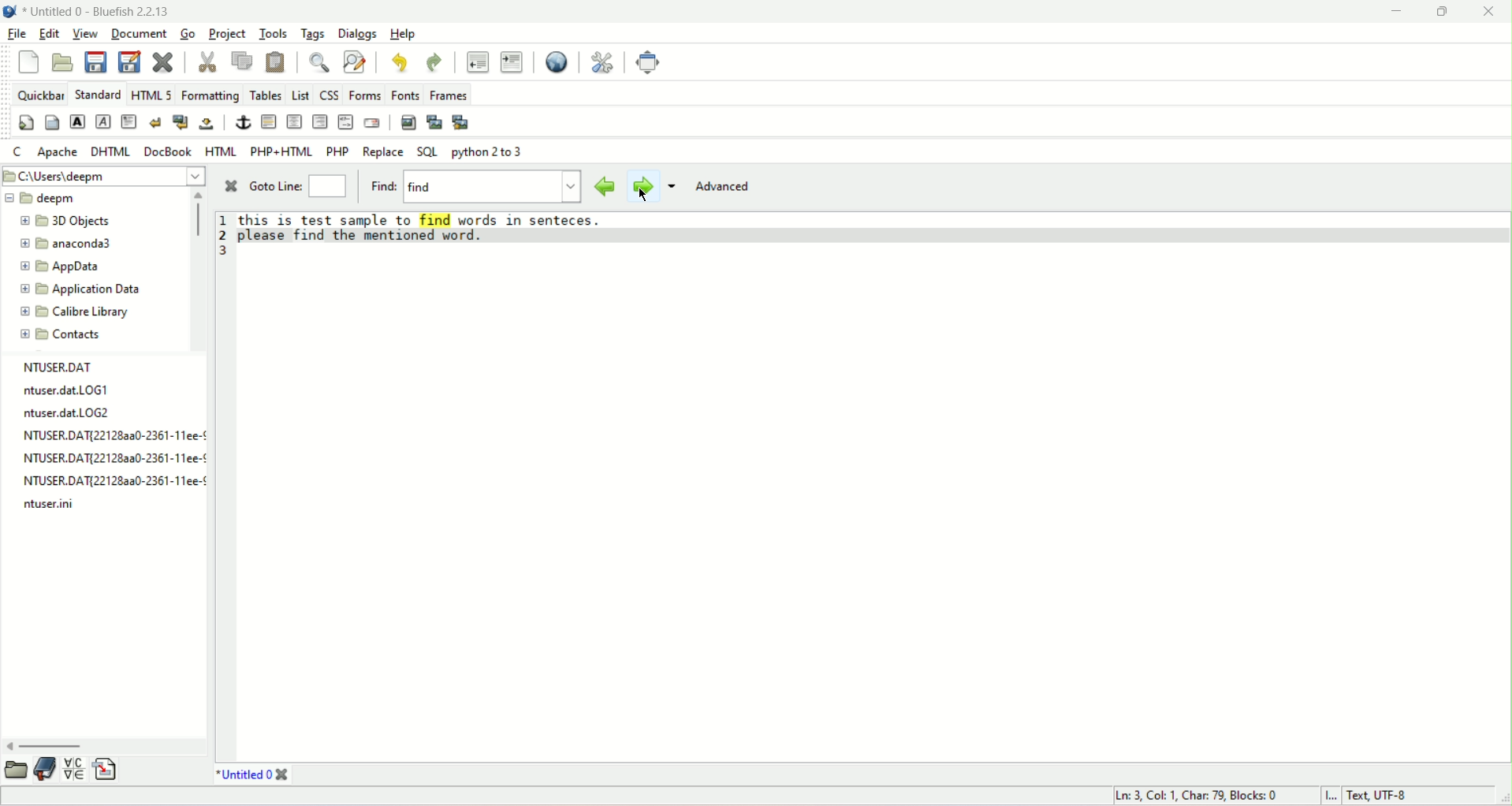 The width and height of the screenshot is (1512, 806). I want to click on NTUSER.DAT{22128220-2361-11ee-, so click(105, 435).